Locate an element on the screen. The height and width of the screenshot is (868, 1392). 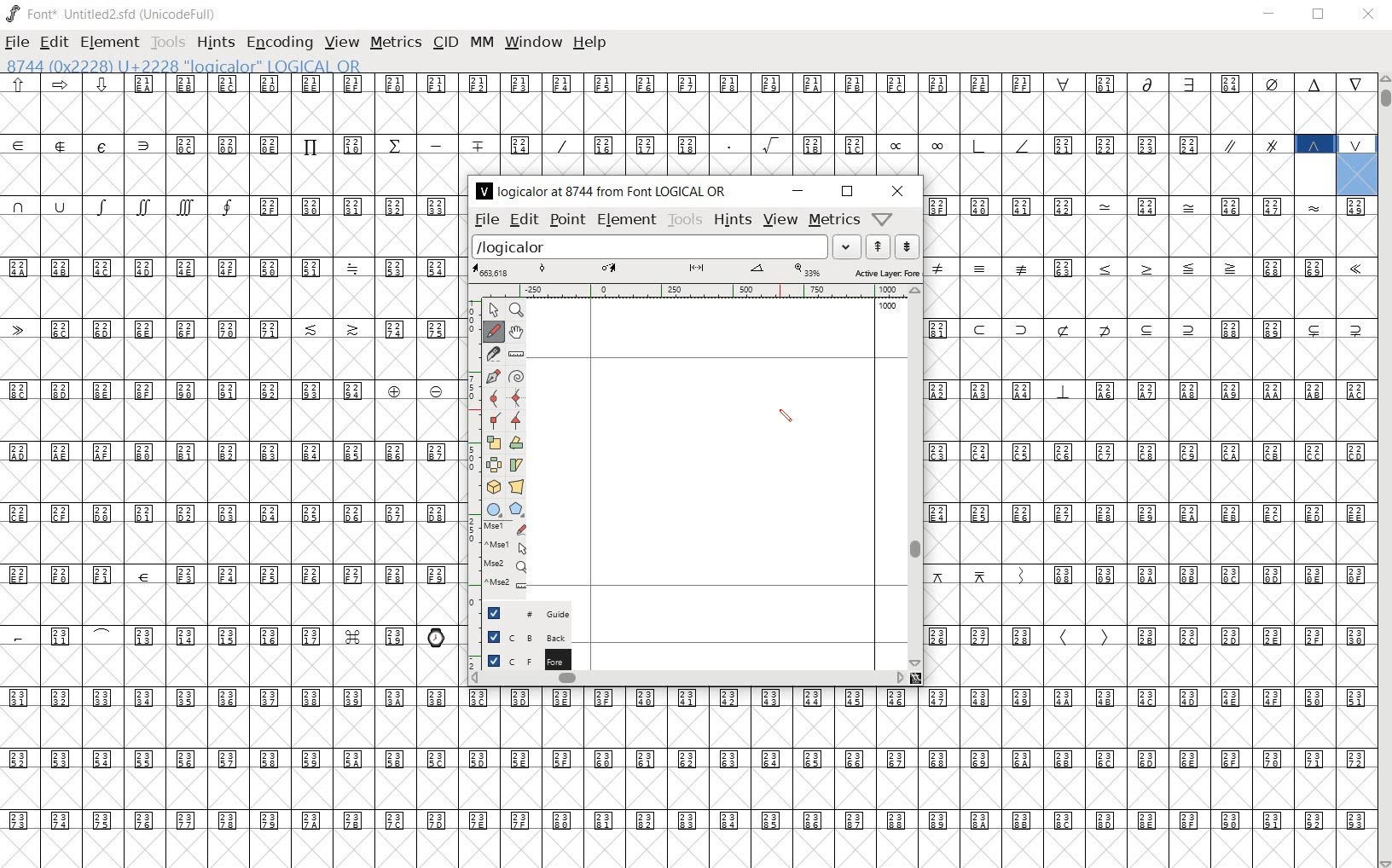
file is located at coordinates (18, 42).